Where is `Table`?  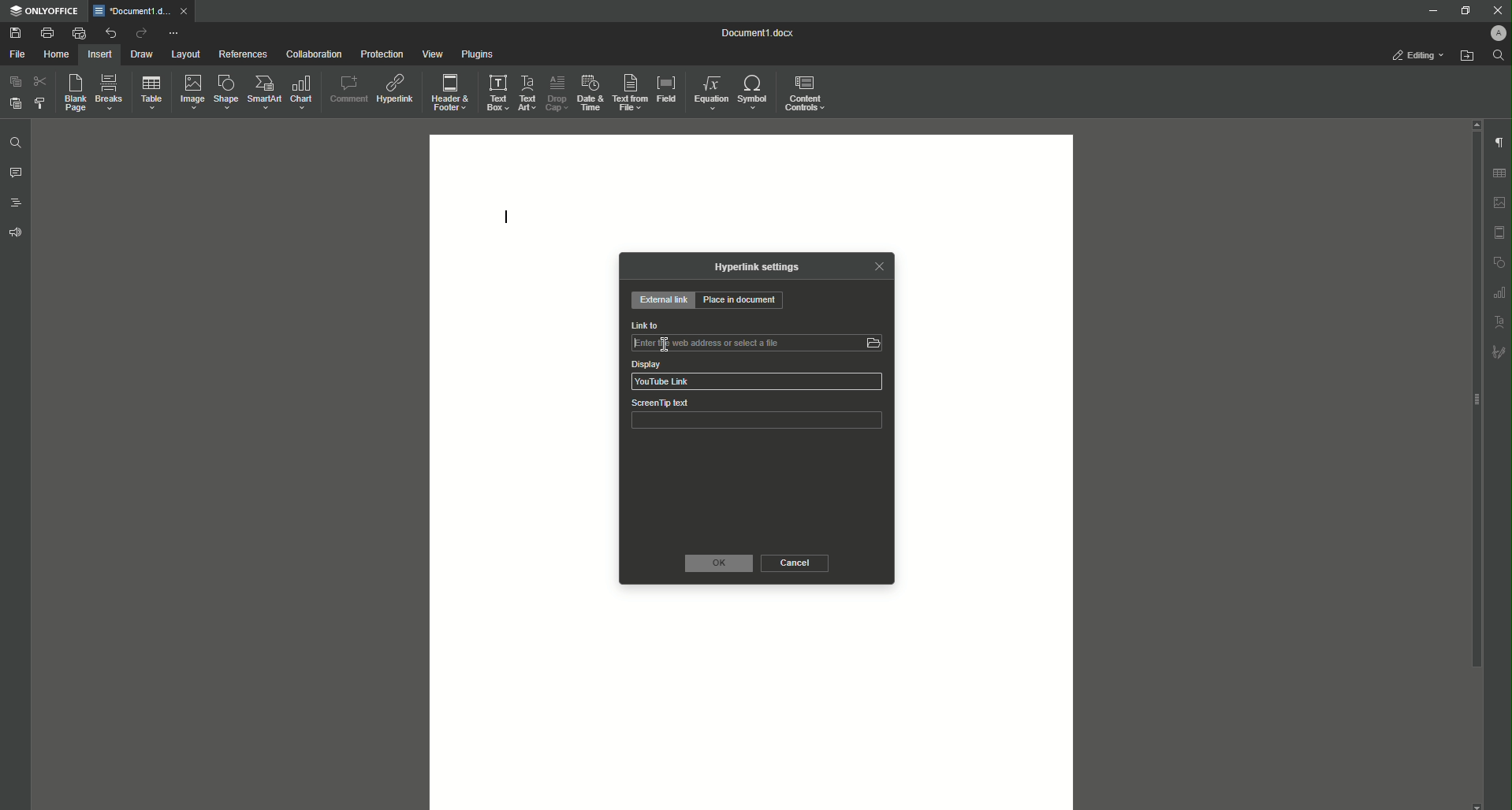
Table is located at coordinates (153, 93).